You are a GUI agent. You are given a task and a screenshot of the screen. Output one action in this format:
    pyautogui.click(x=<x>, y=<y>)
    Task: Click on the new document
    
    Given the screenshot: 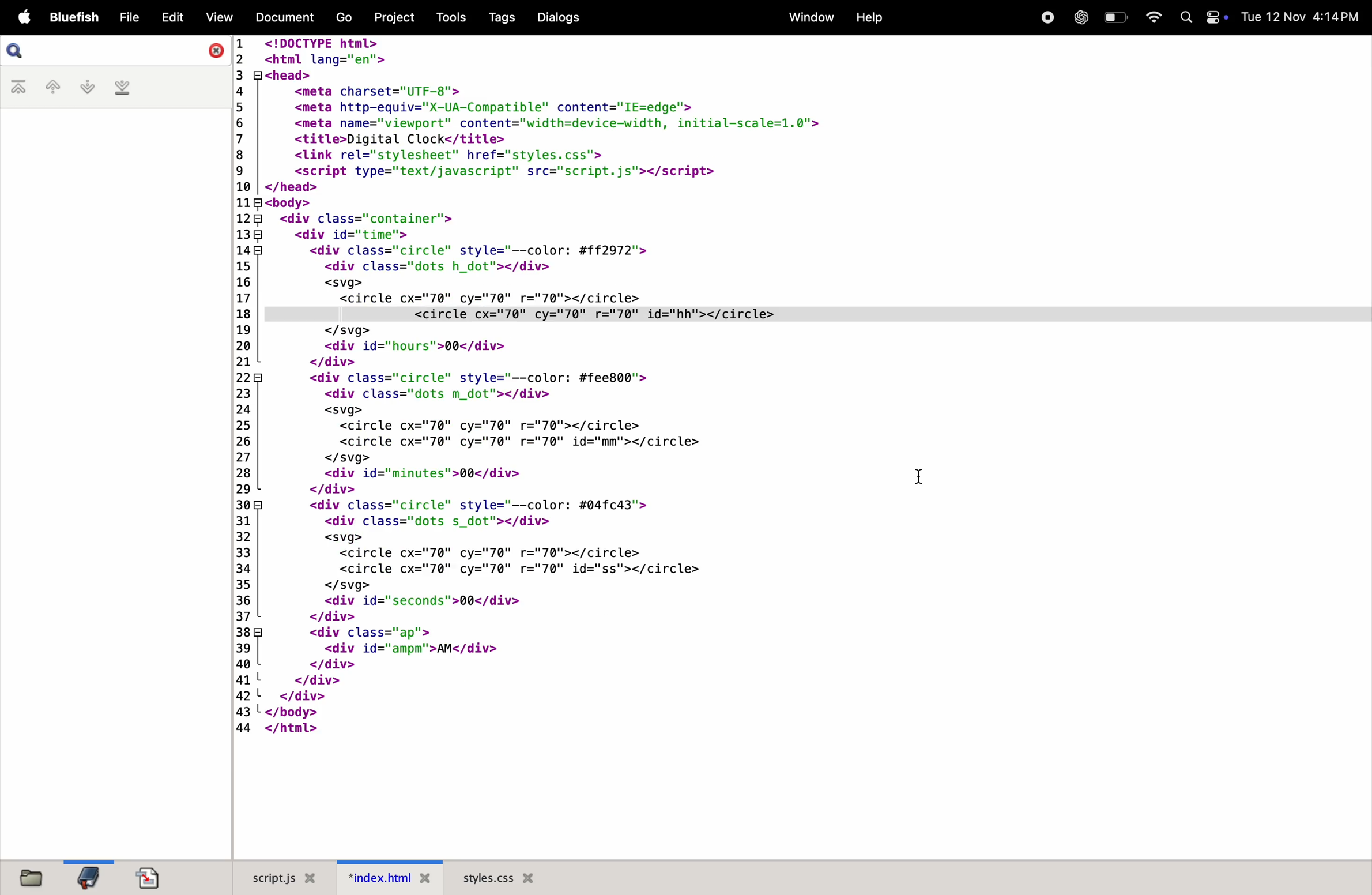 What is the action you would take?
    pyautogui.click(x=154, y=877)
    